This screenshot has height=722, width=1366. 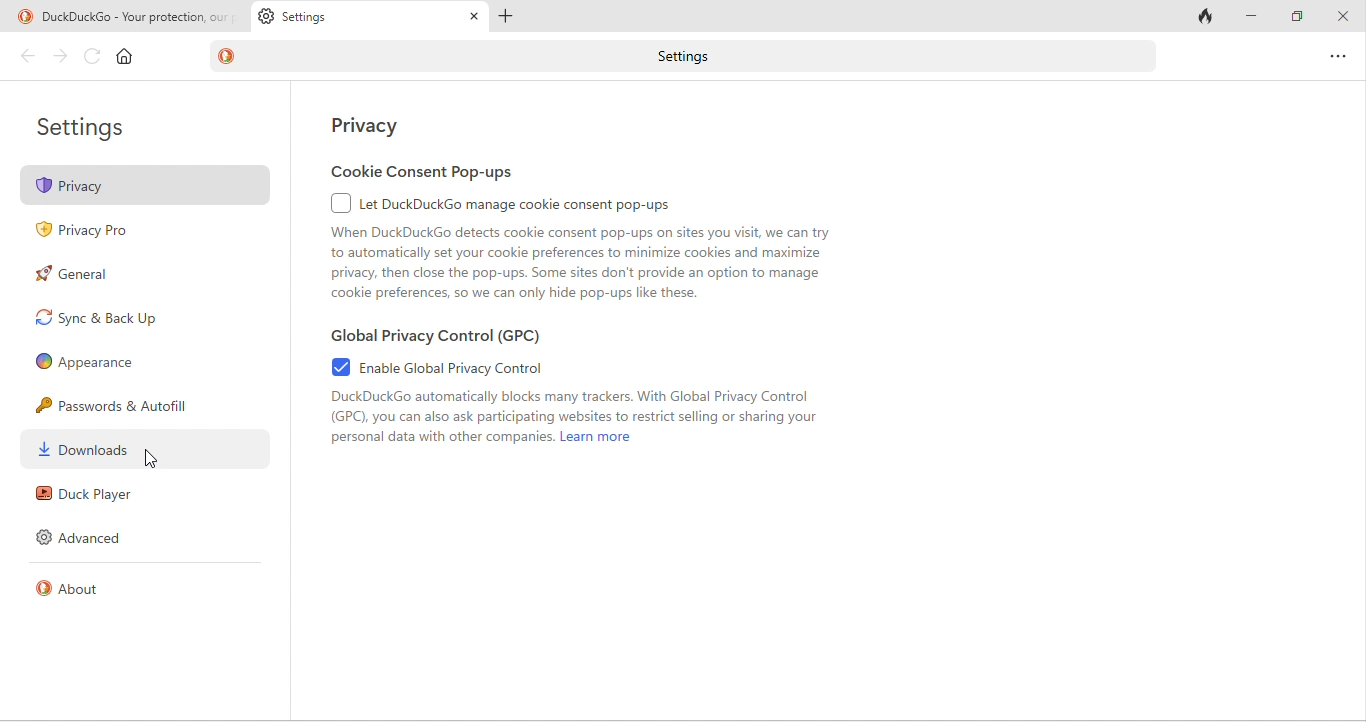 I want to click on Checkbox, so click(x=327, y=204).